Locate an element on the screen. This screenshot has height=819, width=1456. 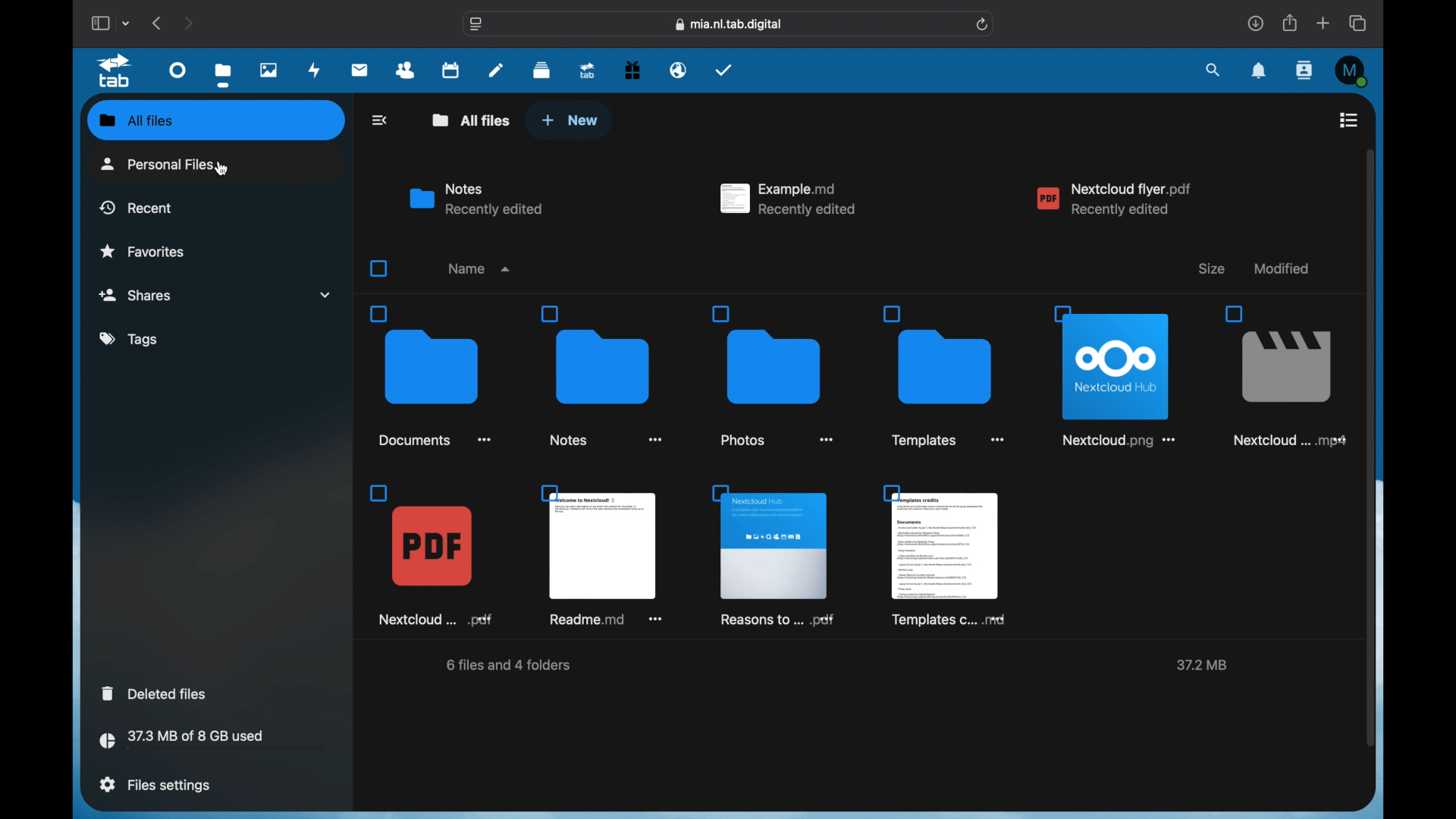
notifications is located at coordinates (1260, 71).